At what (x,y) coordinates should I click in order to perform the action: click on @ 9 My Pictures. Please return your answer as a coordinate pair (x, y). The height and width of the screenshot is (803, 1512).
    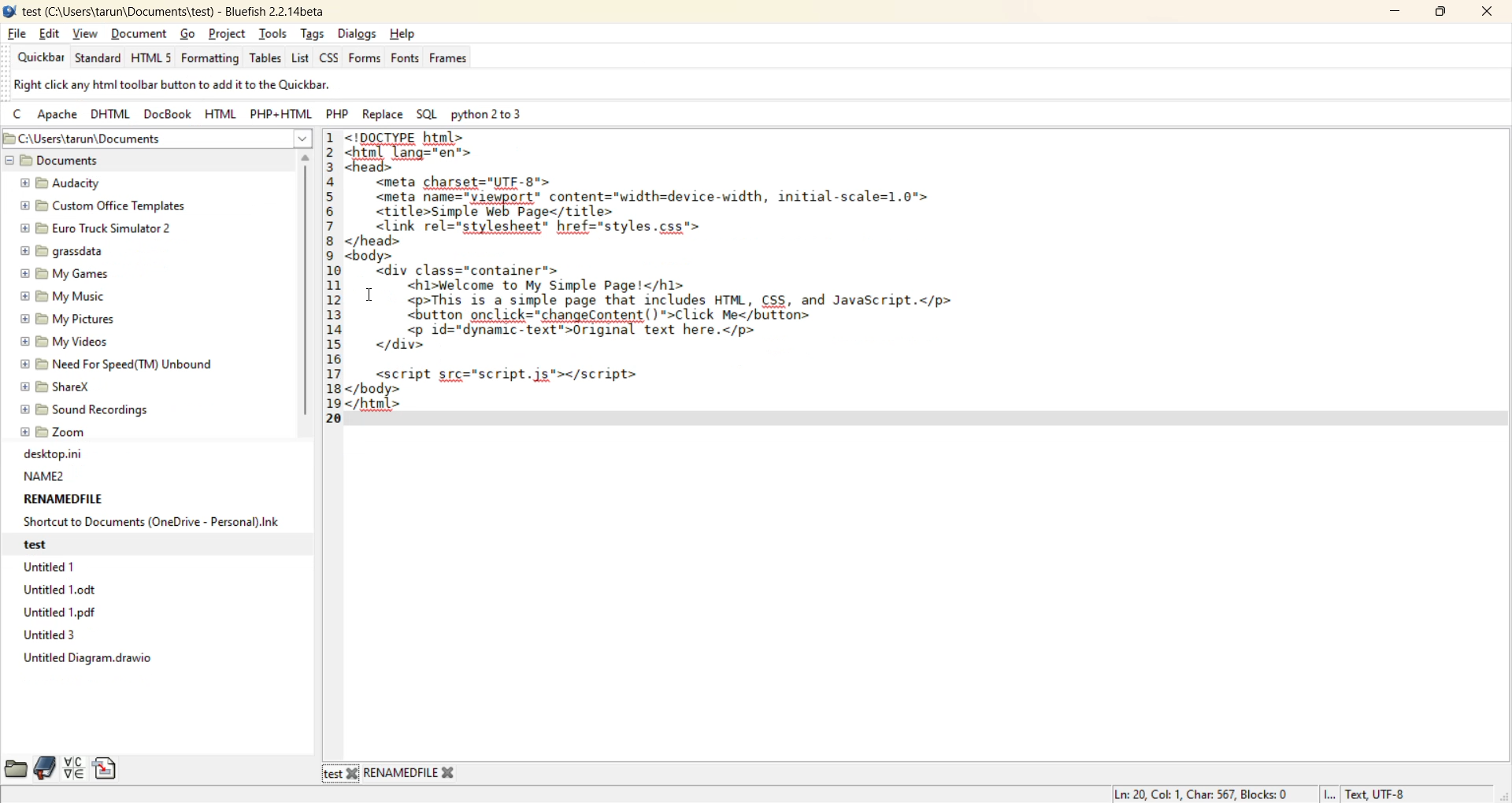
    Looking at the image, I should click on (69, 320).